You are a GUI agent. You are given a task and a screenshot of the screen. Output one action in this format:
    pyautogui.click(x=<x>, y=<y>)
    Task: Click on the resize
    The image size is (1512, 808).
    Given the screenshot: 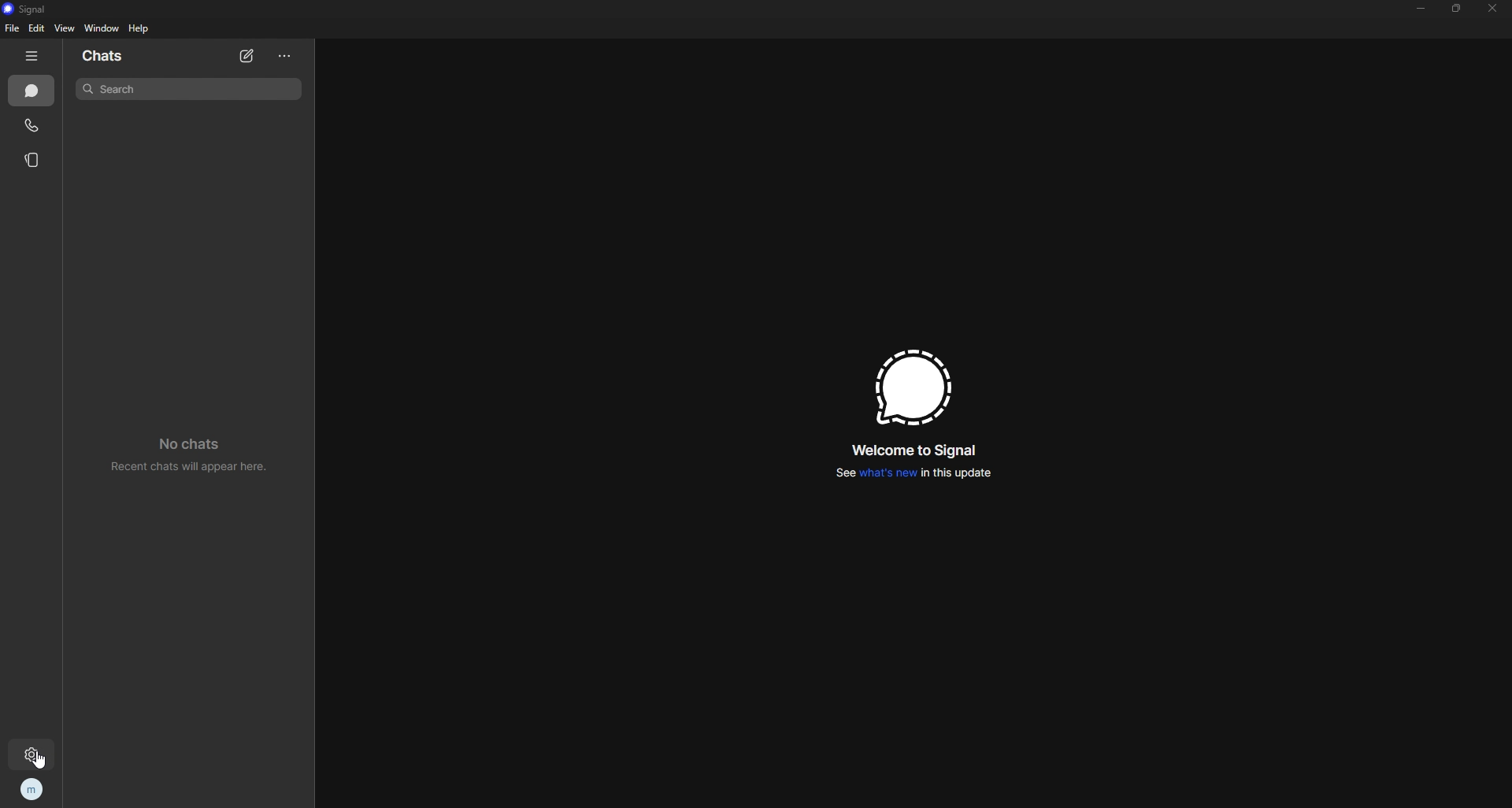 What is the action you would take?
    pyautogui.click(x=1458, y=8)
    